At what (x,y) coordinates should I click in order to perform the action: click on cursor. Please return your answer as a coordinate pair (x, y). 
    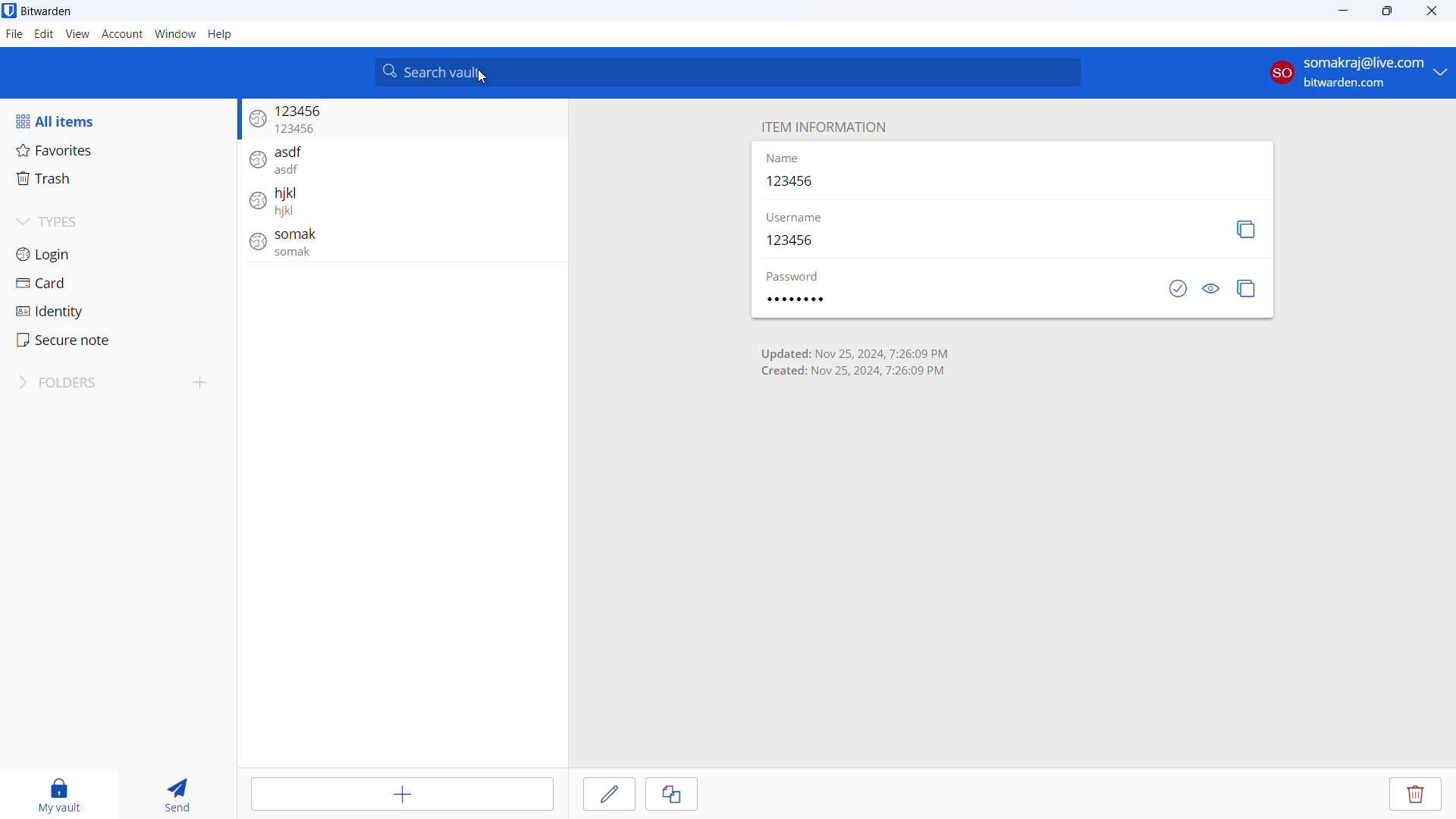
    Looking at the image, I should click on (485, 75).